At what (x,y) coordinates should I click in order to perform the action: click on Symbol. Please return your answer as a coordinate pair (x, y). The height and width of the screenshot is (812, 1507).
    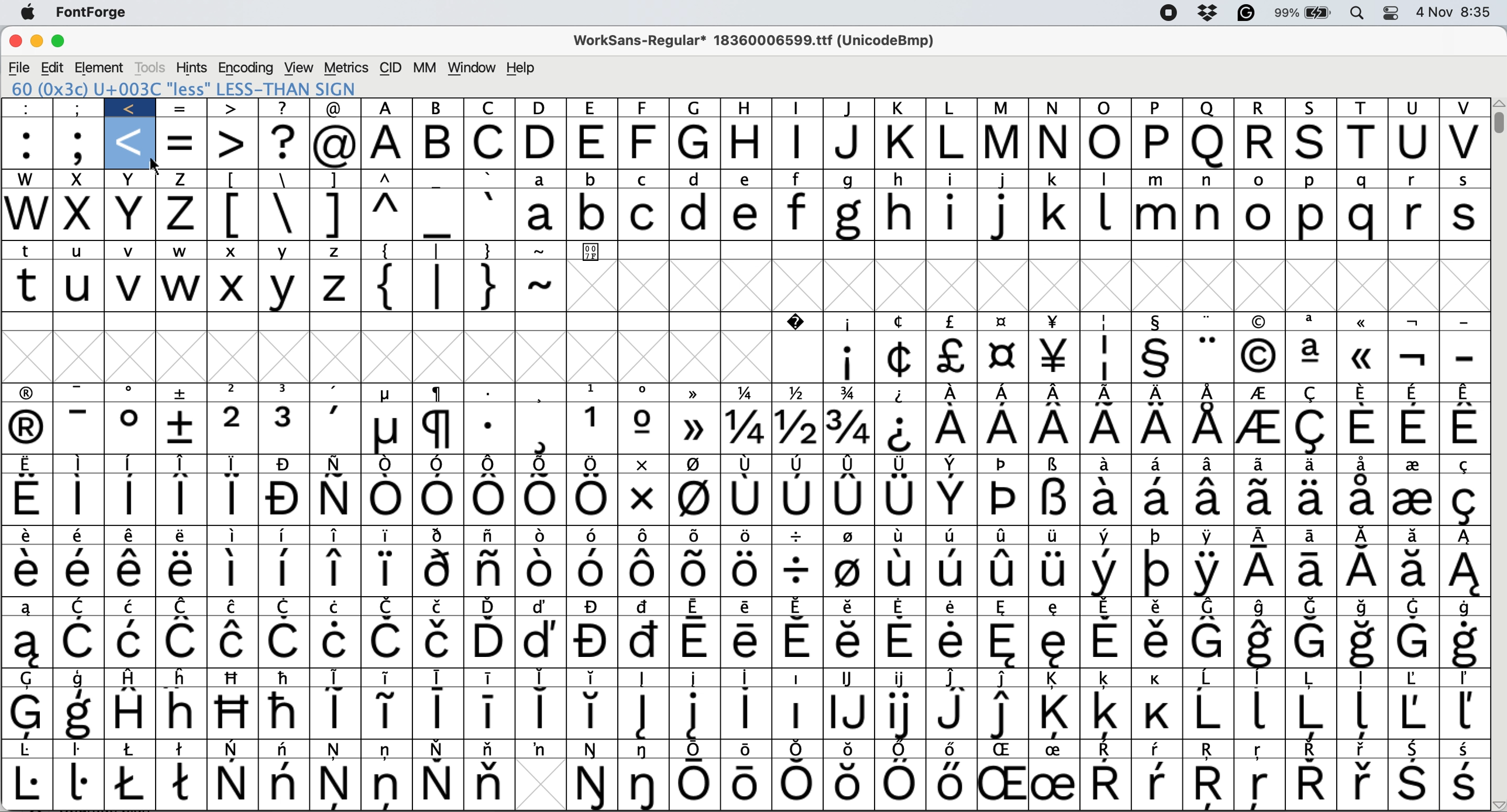
    Looking at the image, I should click on (135, 749).